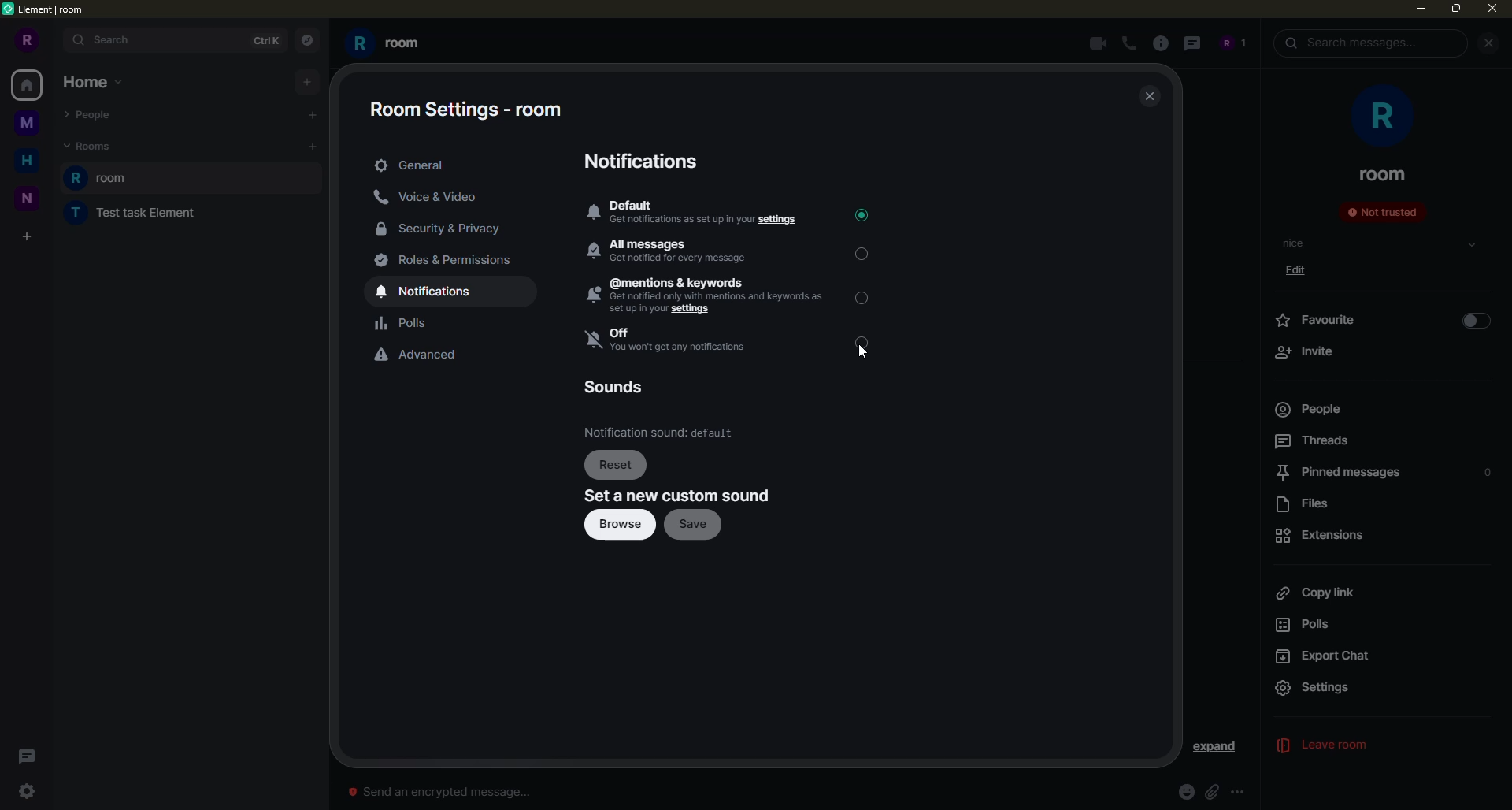 This screenshot has width=1512, height=810. Describe the element at coordinates (1240, 790) in the screenshot. I see `options` at that location.